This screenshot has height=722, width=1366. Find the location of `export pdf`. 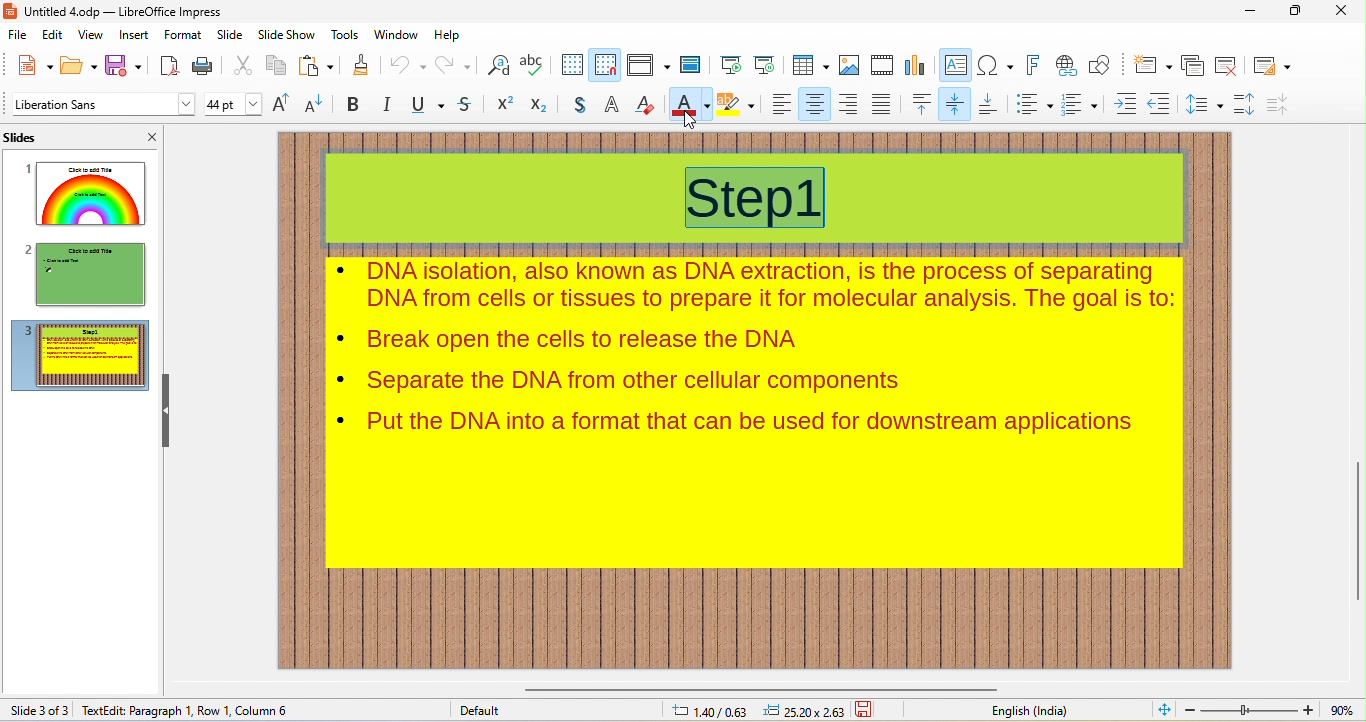

export pdf is located at coordinates (169, 67).